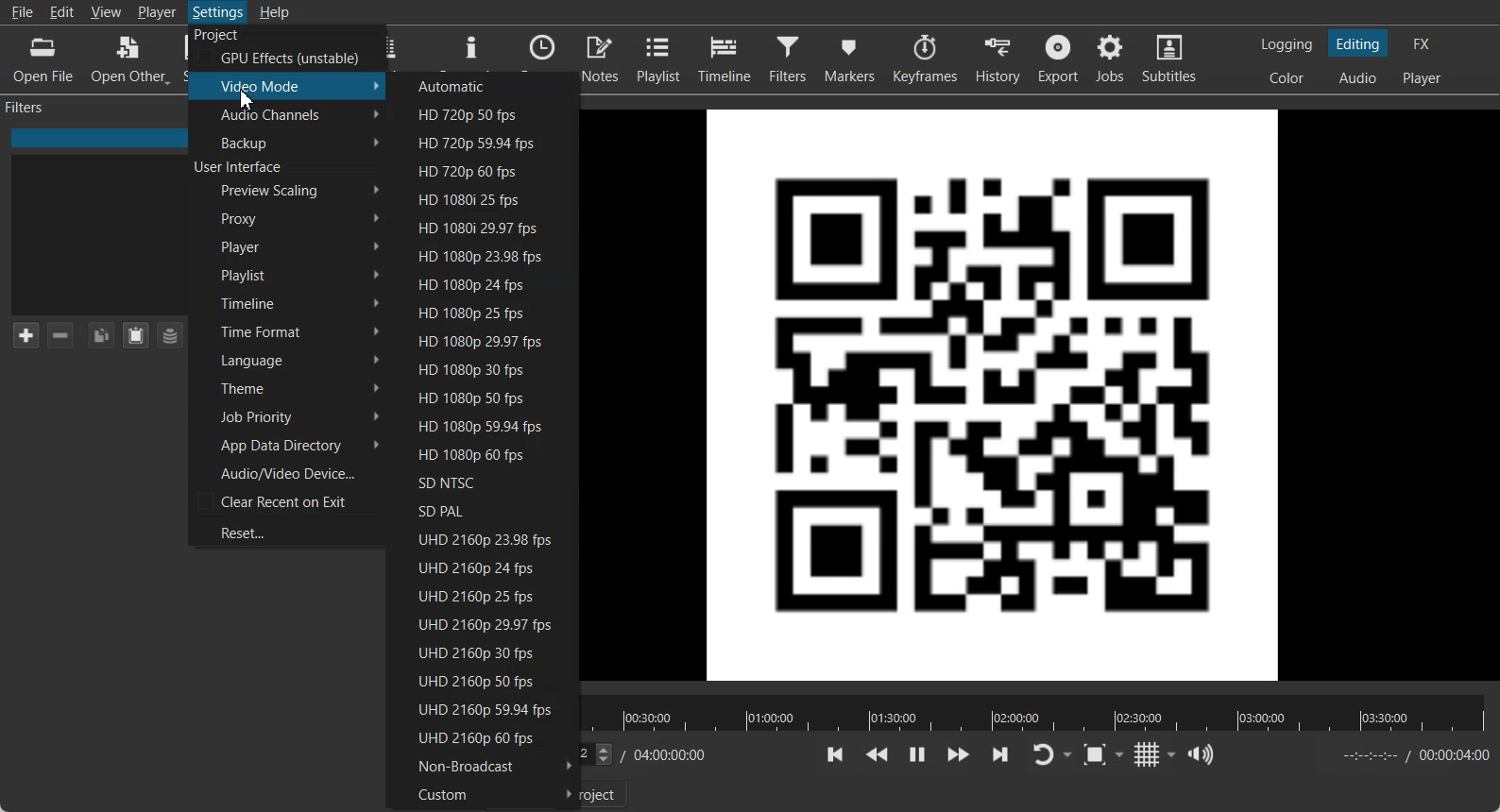  What do you see at coordinates (484, 84) in the screenshot?
I see `Automatics` at bounding box center [484, 84].